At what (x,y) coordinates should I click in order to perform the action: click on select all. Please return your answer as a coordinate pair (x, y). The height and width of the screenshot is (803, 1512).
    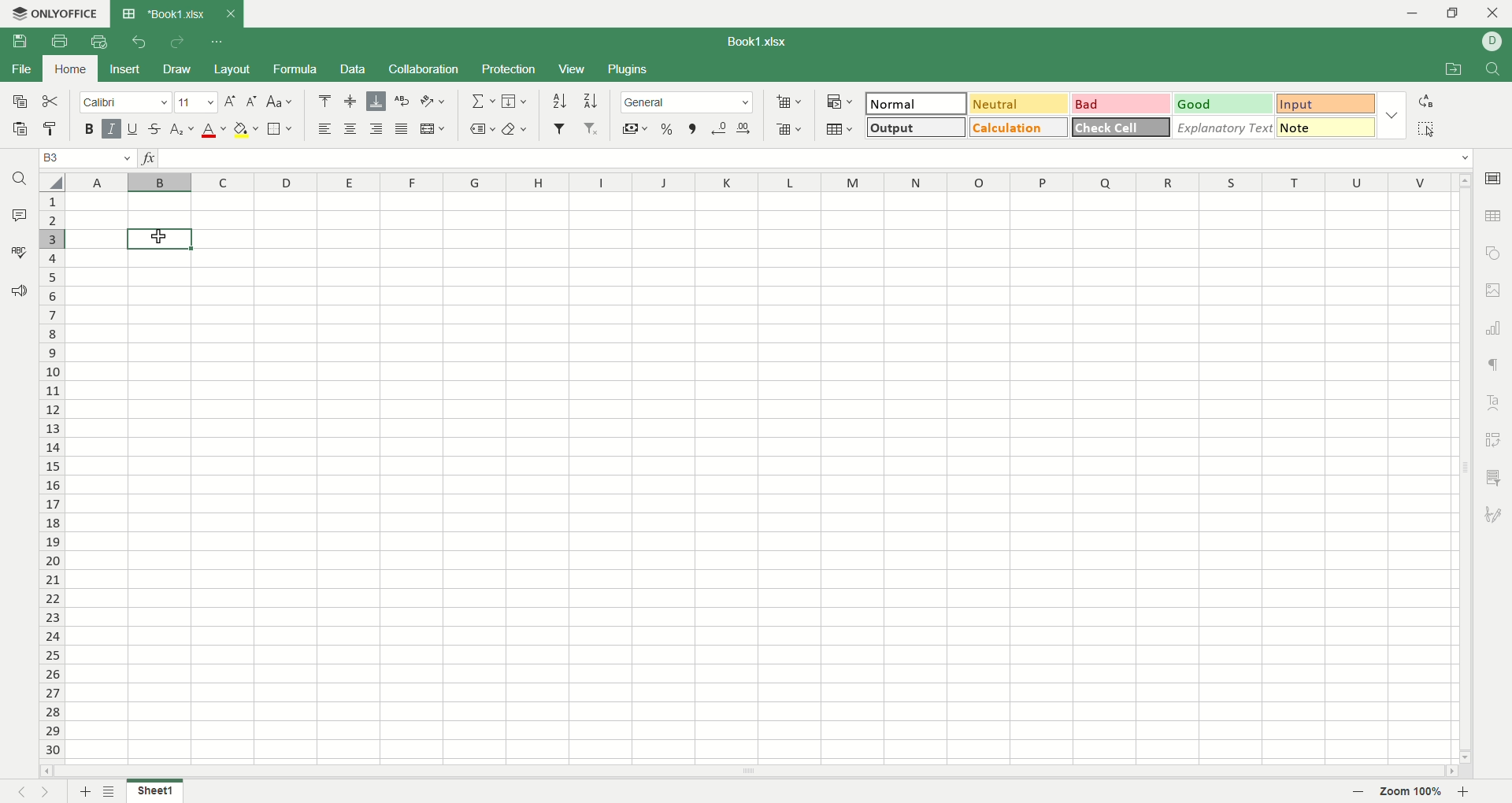
    Looking at the image, I should click on (1426, 128).